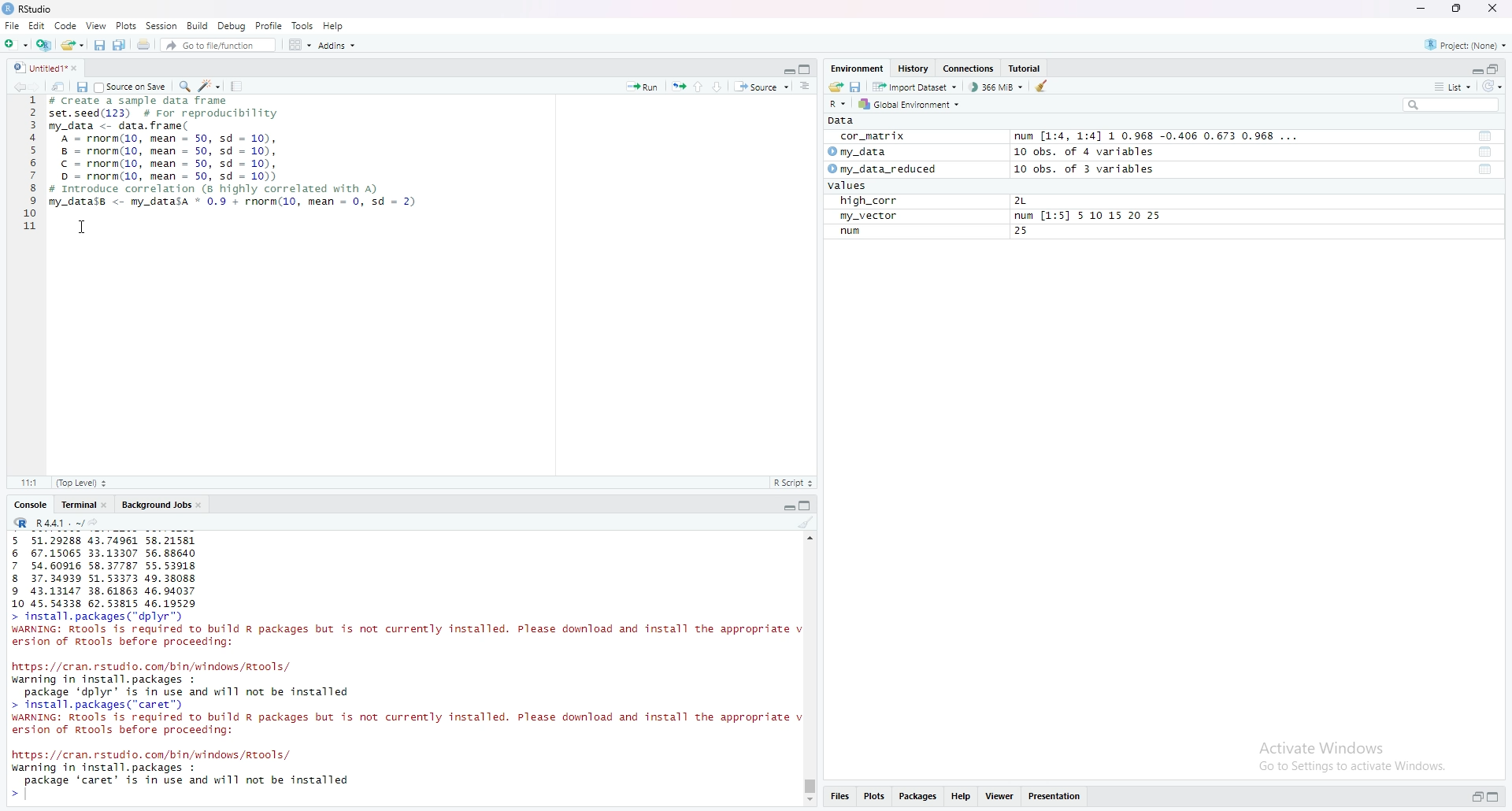 The image size is (1512, 811). I want to click on Collapse, so click(786, 508).